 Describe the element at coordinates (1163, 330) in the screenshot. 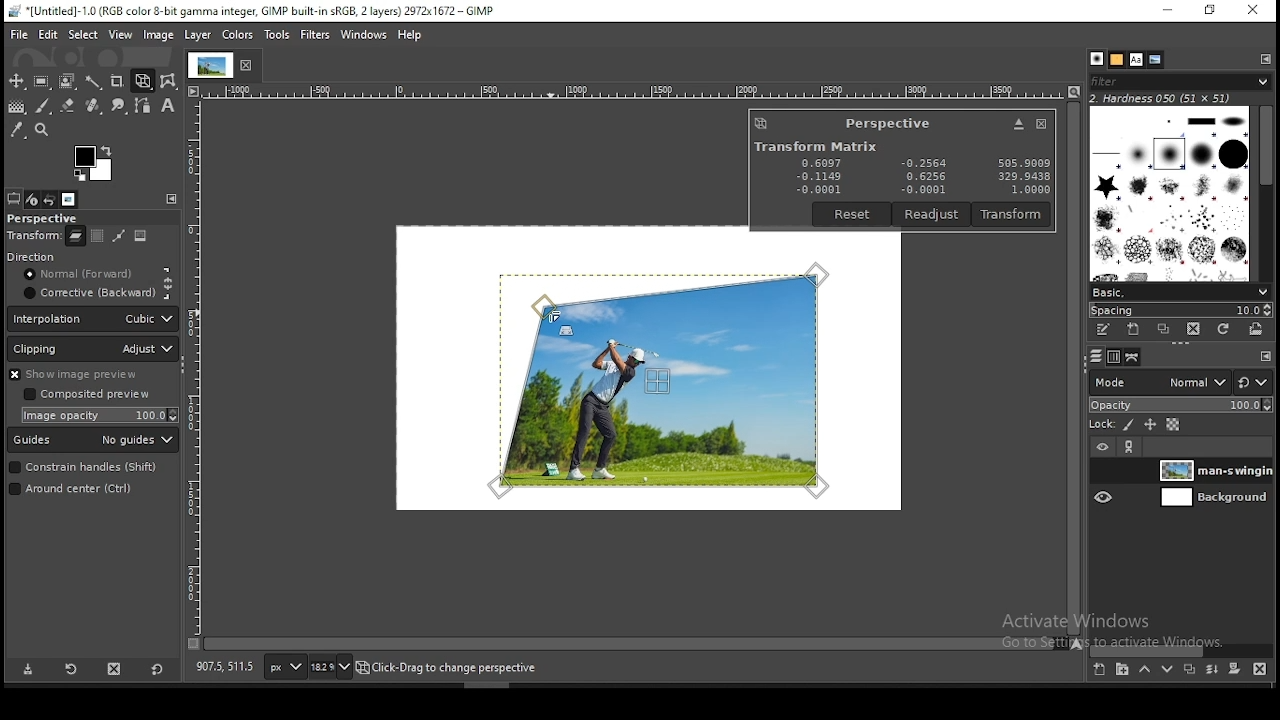

I see `duplicate brush` at that location.